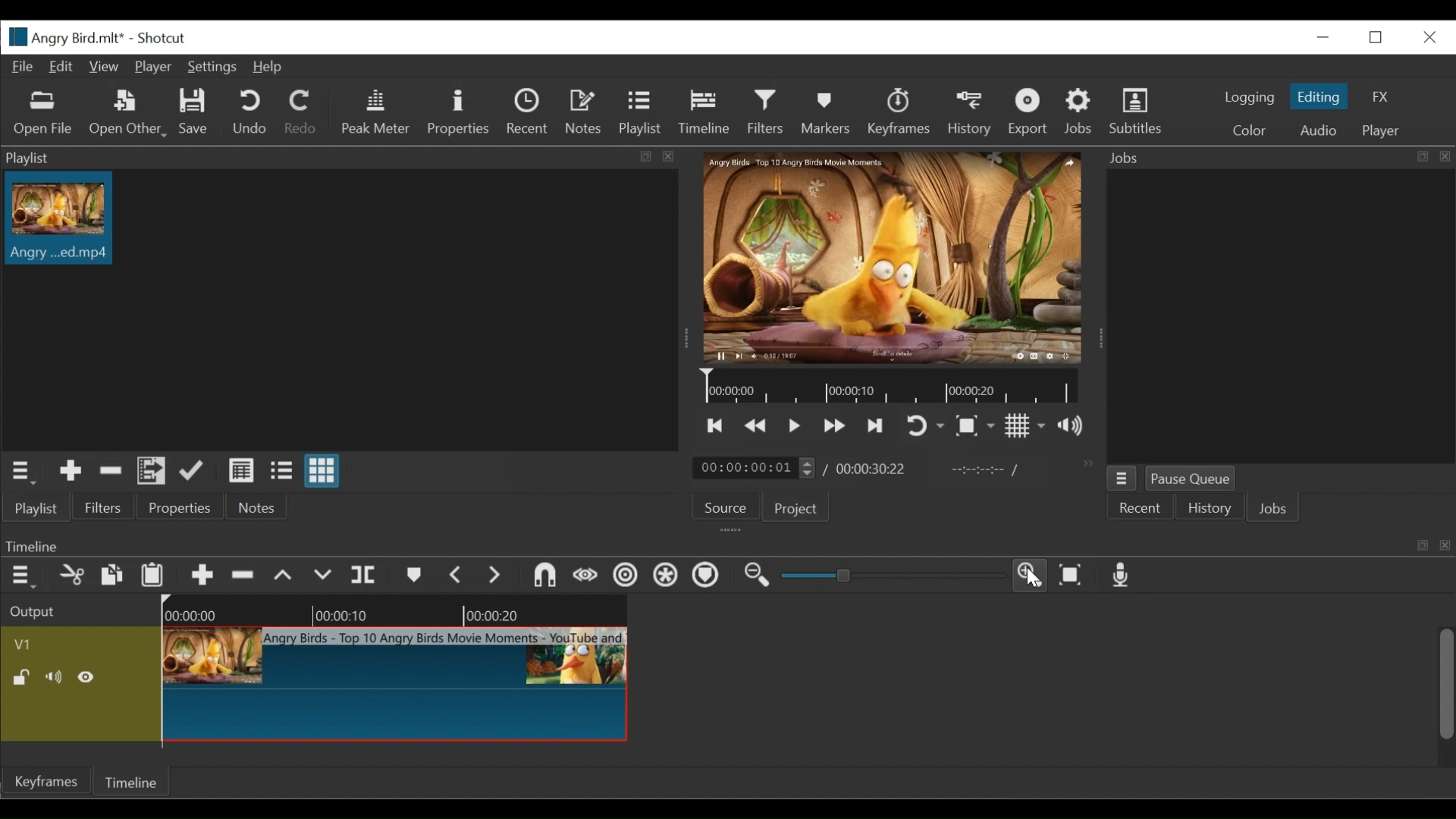 The image size is (1456, 819). I want to click on Skip to the previous point, so click(715, 425).